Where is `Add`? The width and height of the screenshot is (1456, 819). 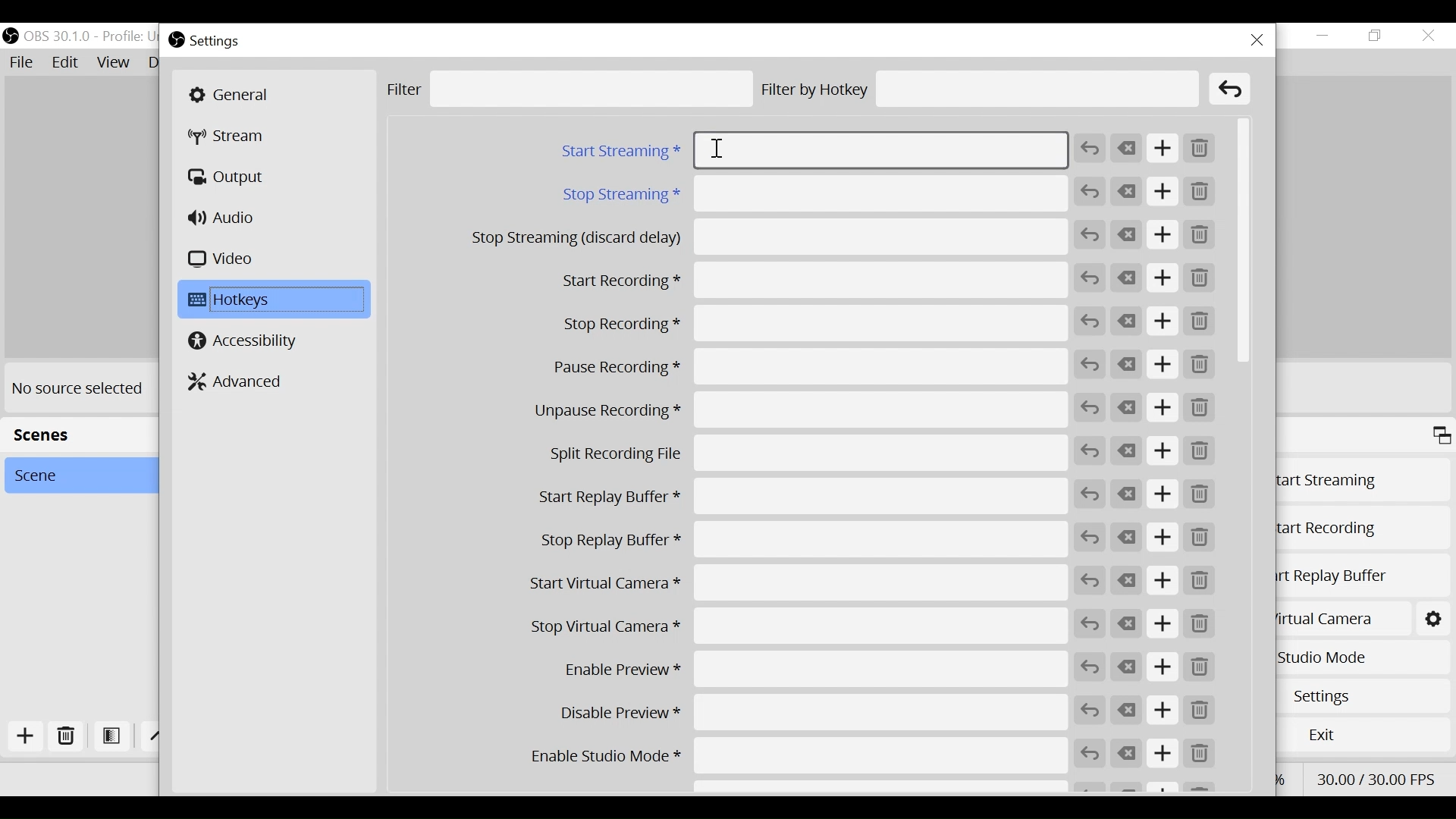 Add is located at coordinates (1163, 754).